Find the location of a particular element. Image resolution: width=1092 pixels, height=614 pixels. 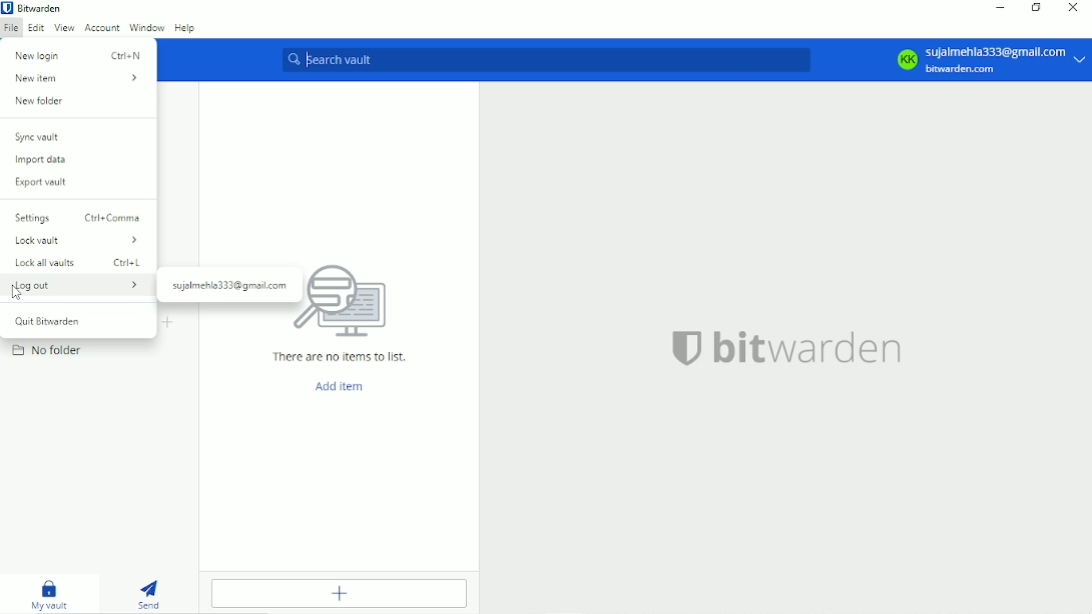

Create folder is located at coordinates (169, 323).